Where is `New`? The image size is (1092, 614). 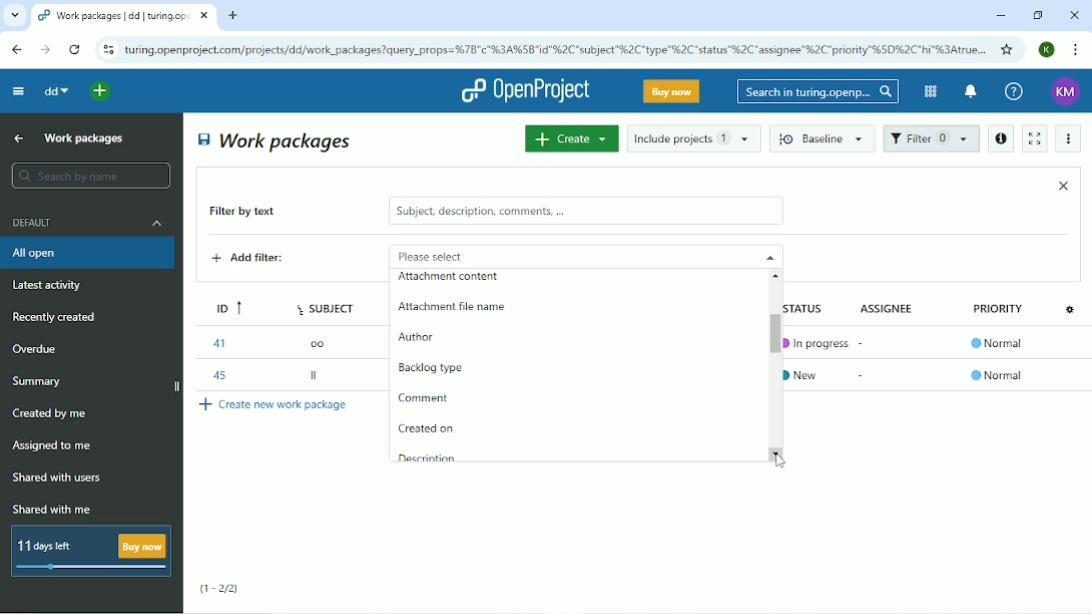 New is located at coordinates (808, 373).